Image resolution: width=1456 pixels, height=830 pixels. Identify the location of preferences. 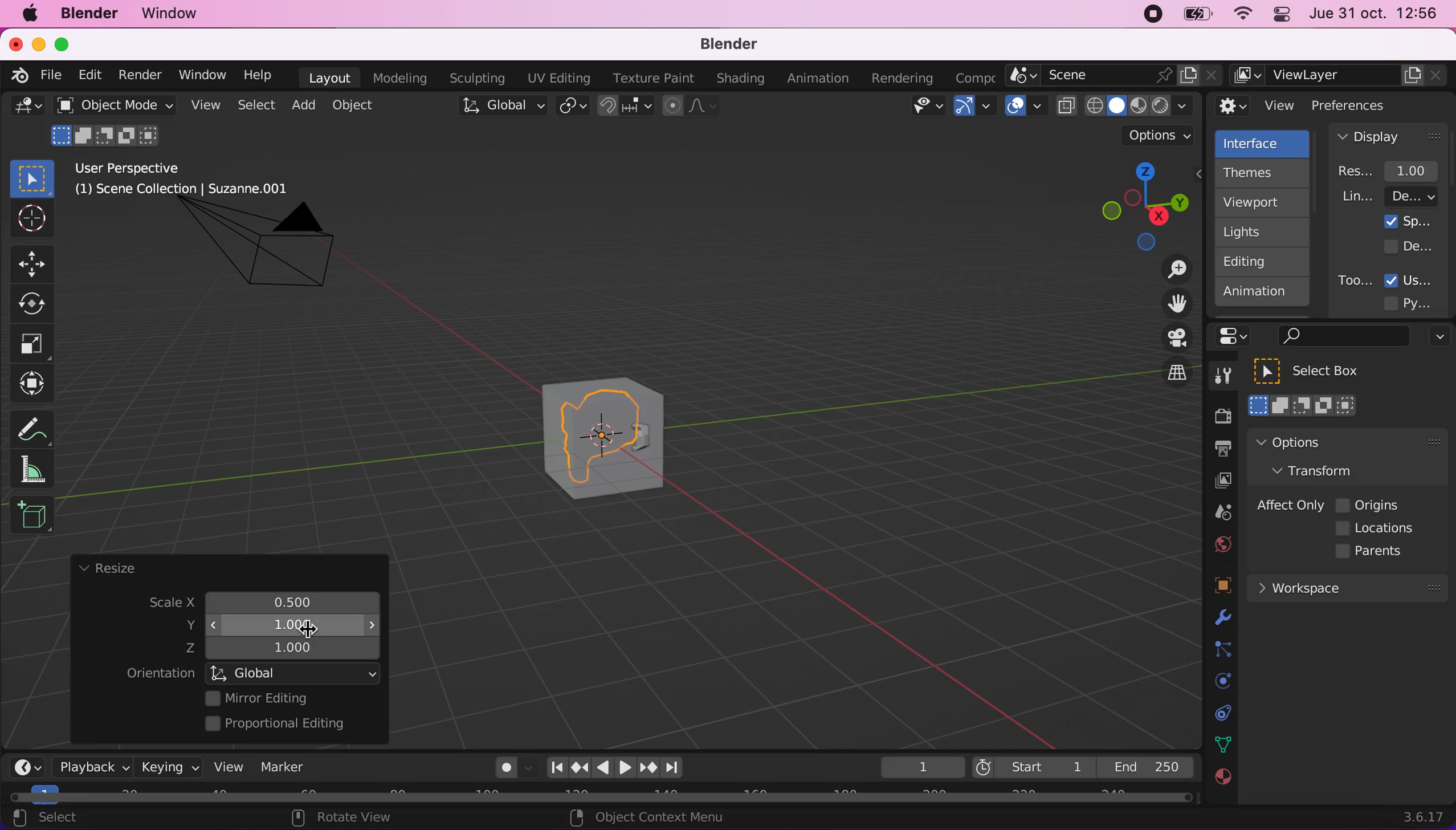
(1368, 105).